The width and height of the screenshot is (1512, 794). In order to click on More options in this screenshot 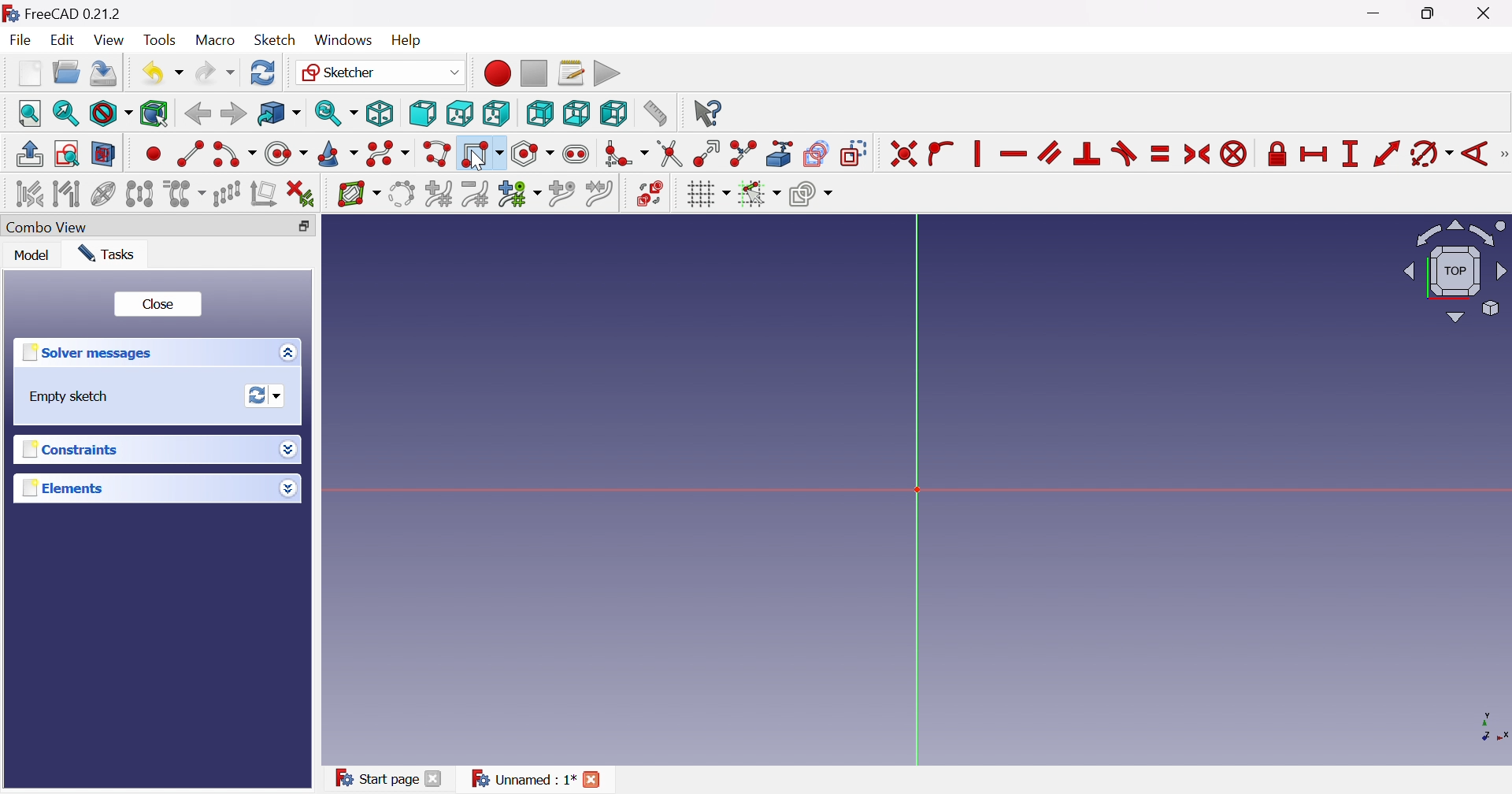, I will do `click(292, 352)`.